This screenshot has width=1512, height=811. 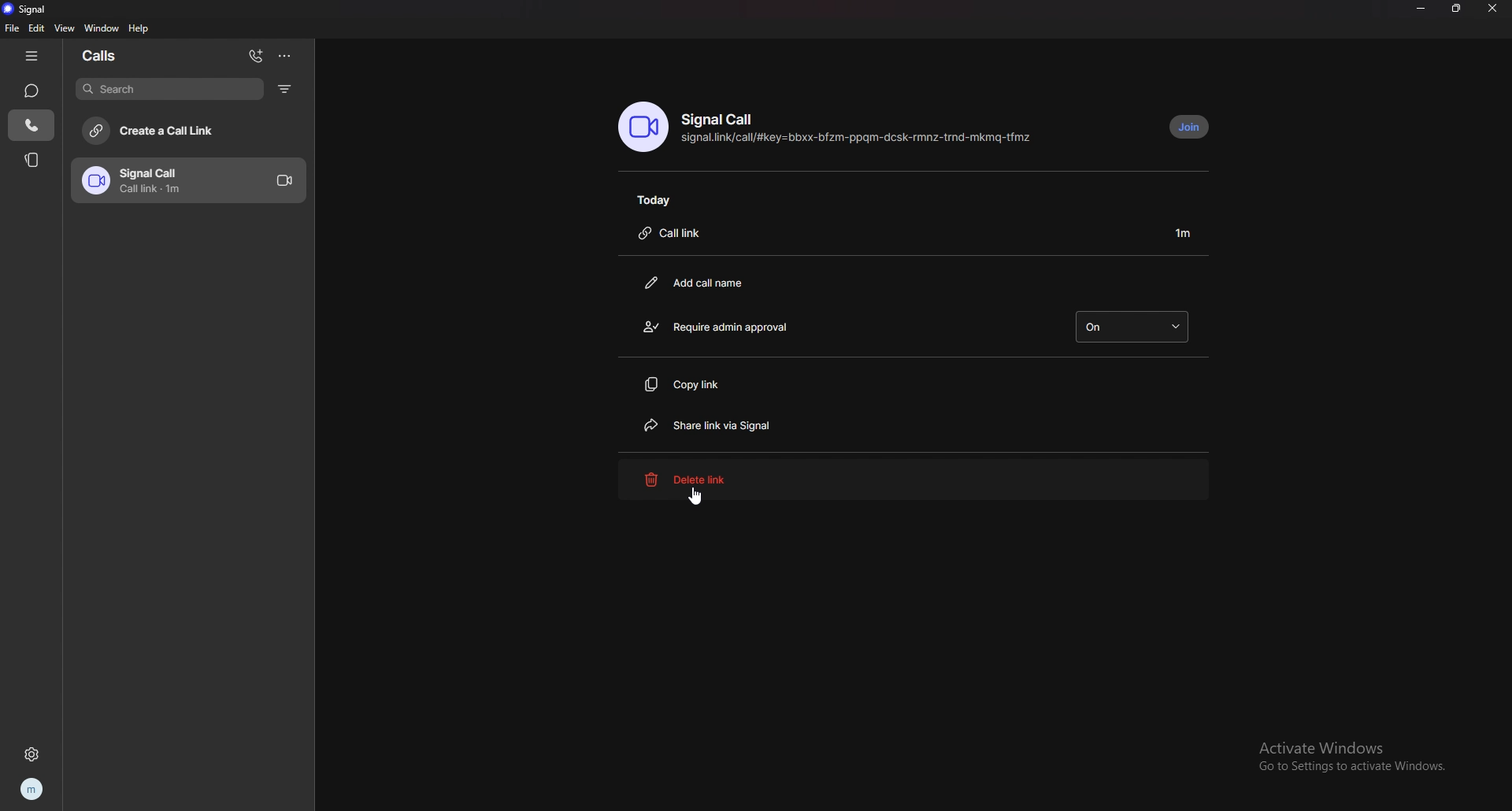 I want to click on today, so click(x=658, y=199).